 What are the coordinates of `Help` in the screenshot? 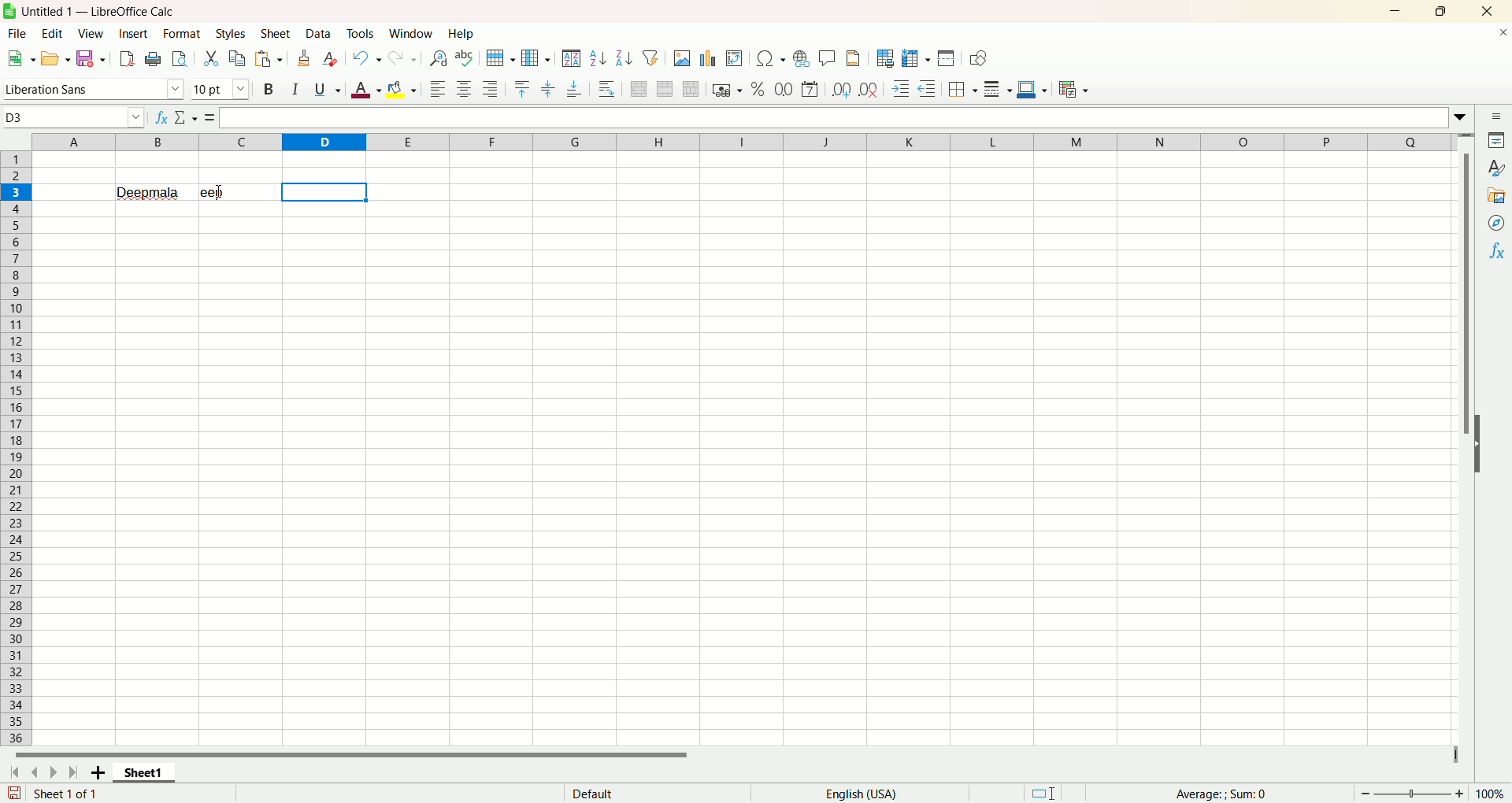 It's located at (464, 33).